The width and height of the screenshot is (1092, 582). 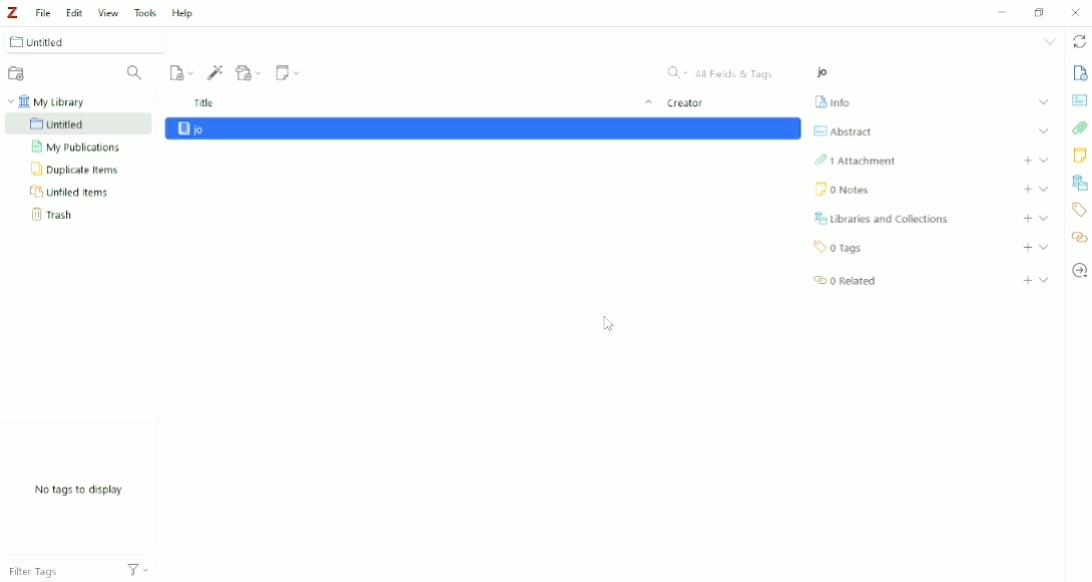 What do you see at coordinates (18, 73) in the screenshot?
I see `New Collection` at bounding box center [18, 73].